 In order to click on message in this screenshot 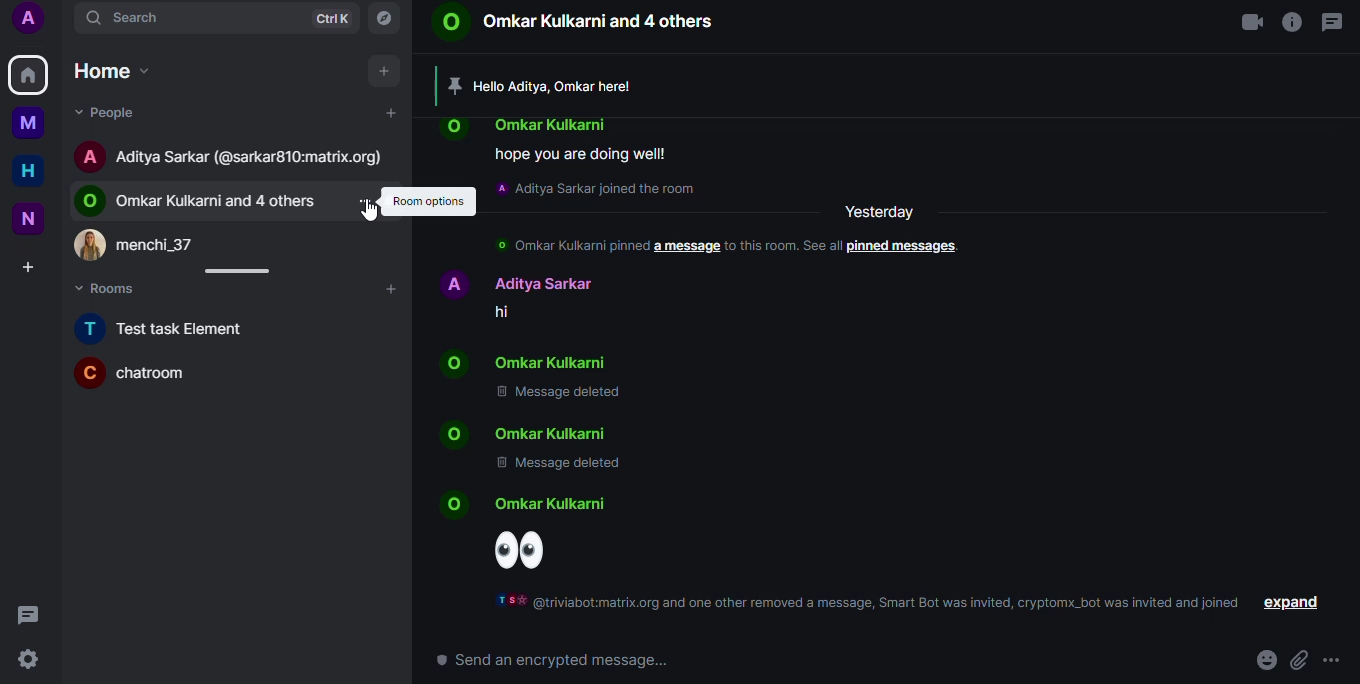, I will do `click(504, 313)`.